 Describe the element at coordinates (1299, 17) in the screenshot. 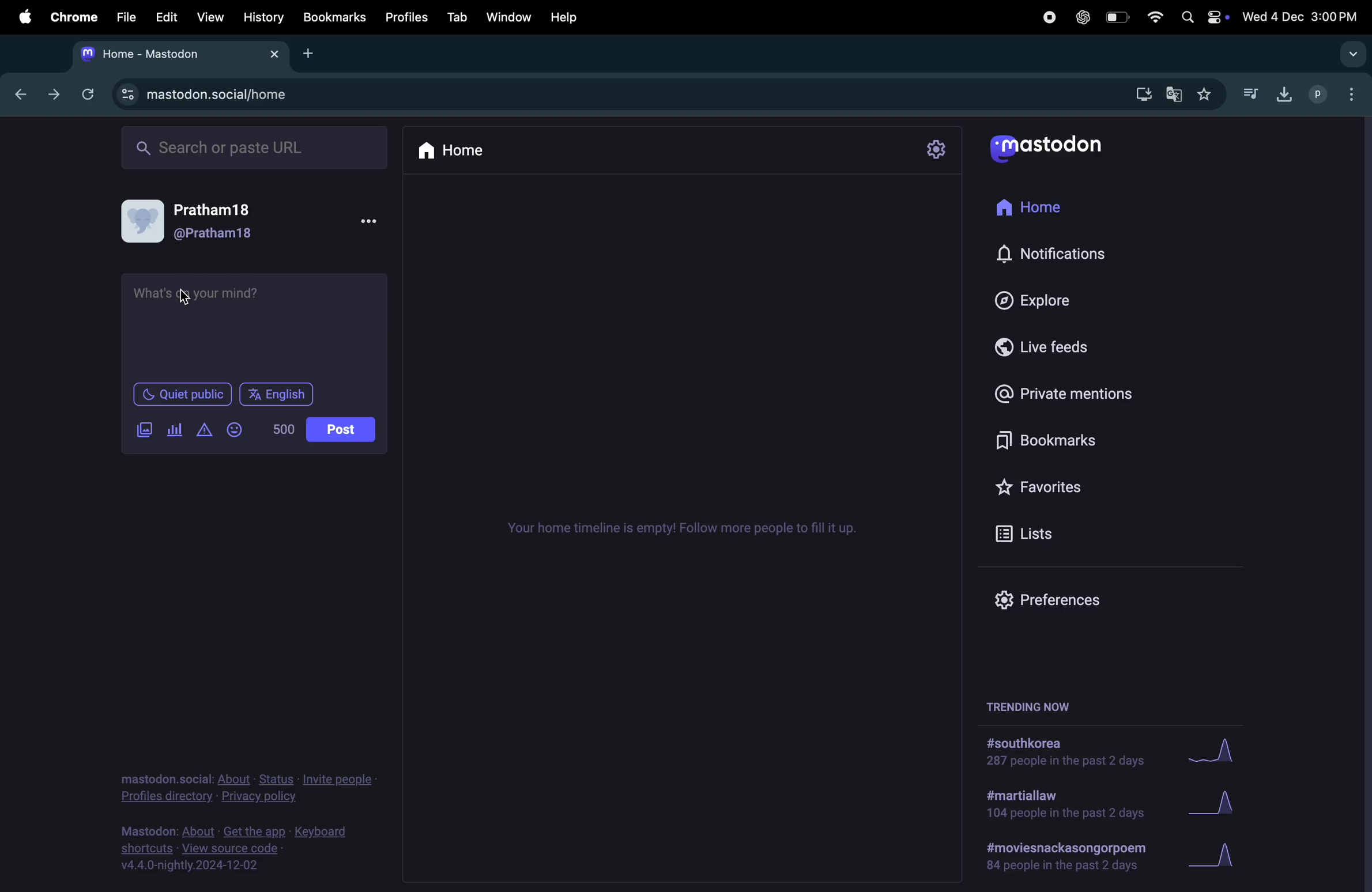

I see `date and time` at that location.